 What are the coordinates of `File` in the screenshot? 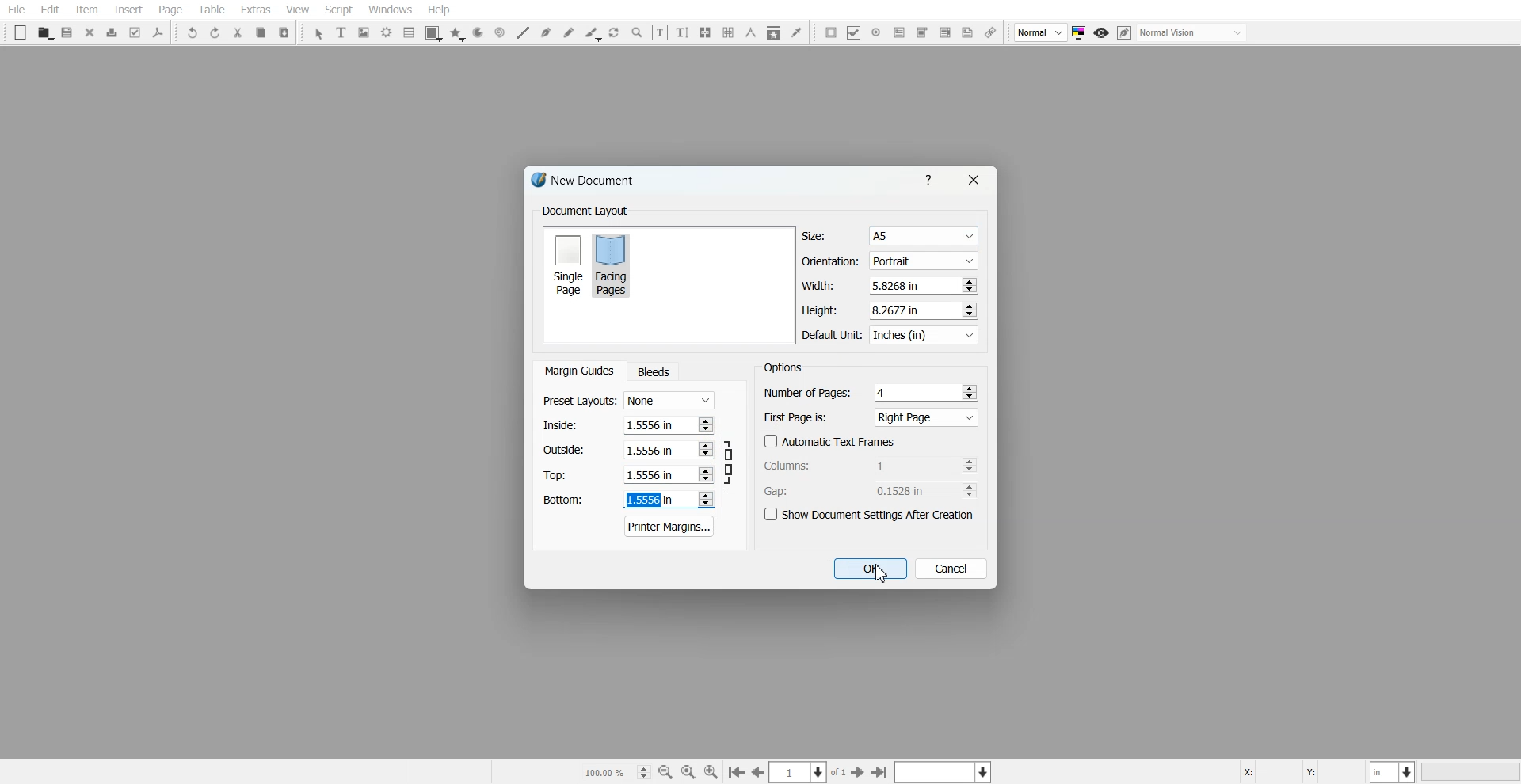 It's located at (17, 10).